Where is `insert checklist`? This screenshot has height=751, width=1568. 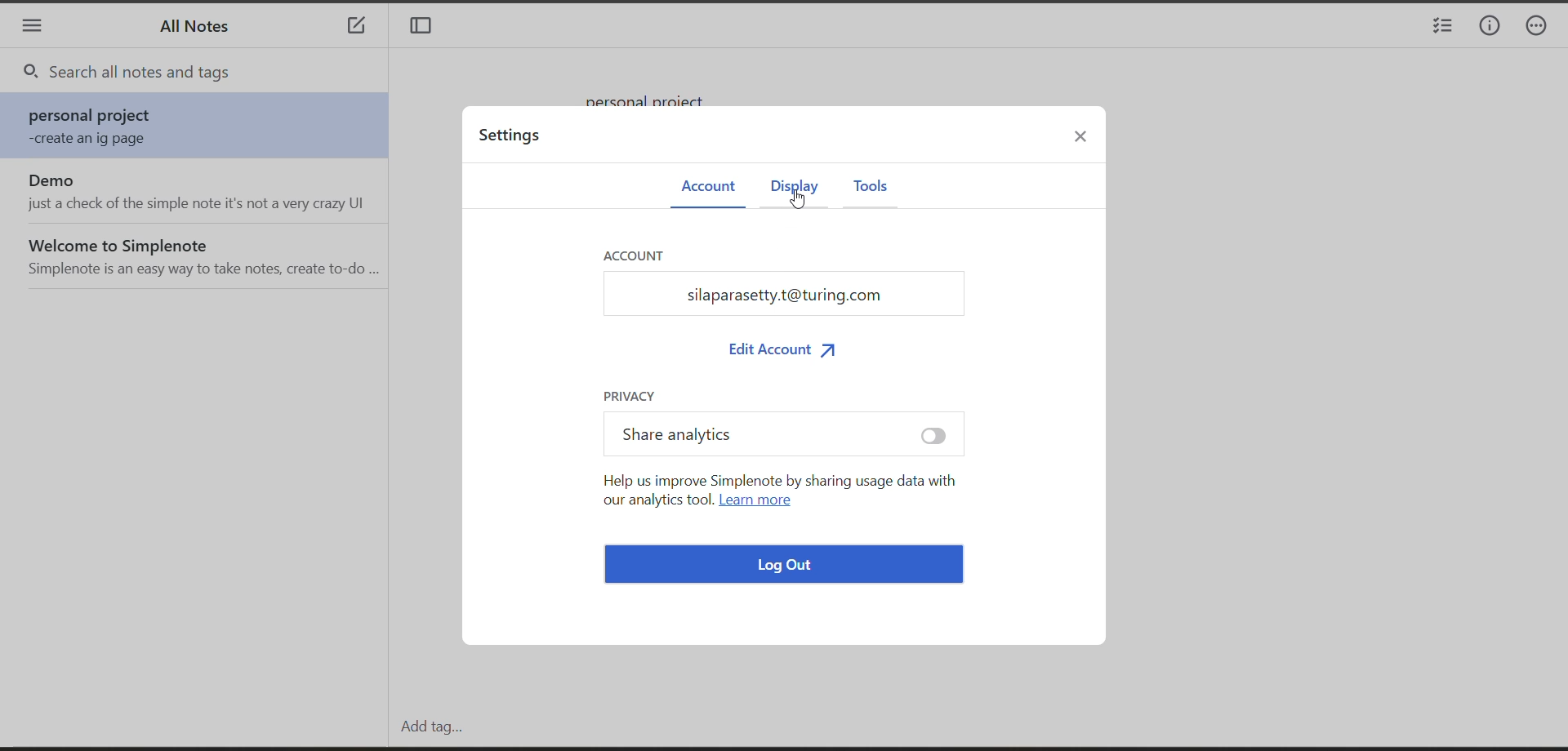
insert checklist is located at coordinates (1440, 28).